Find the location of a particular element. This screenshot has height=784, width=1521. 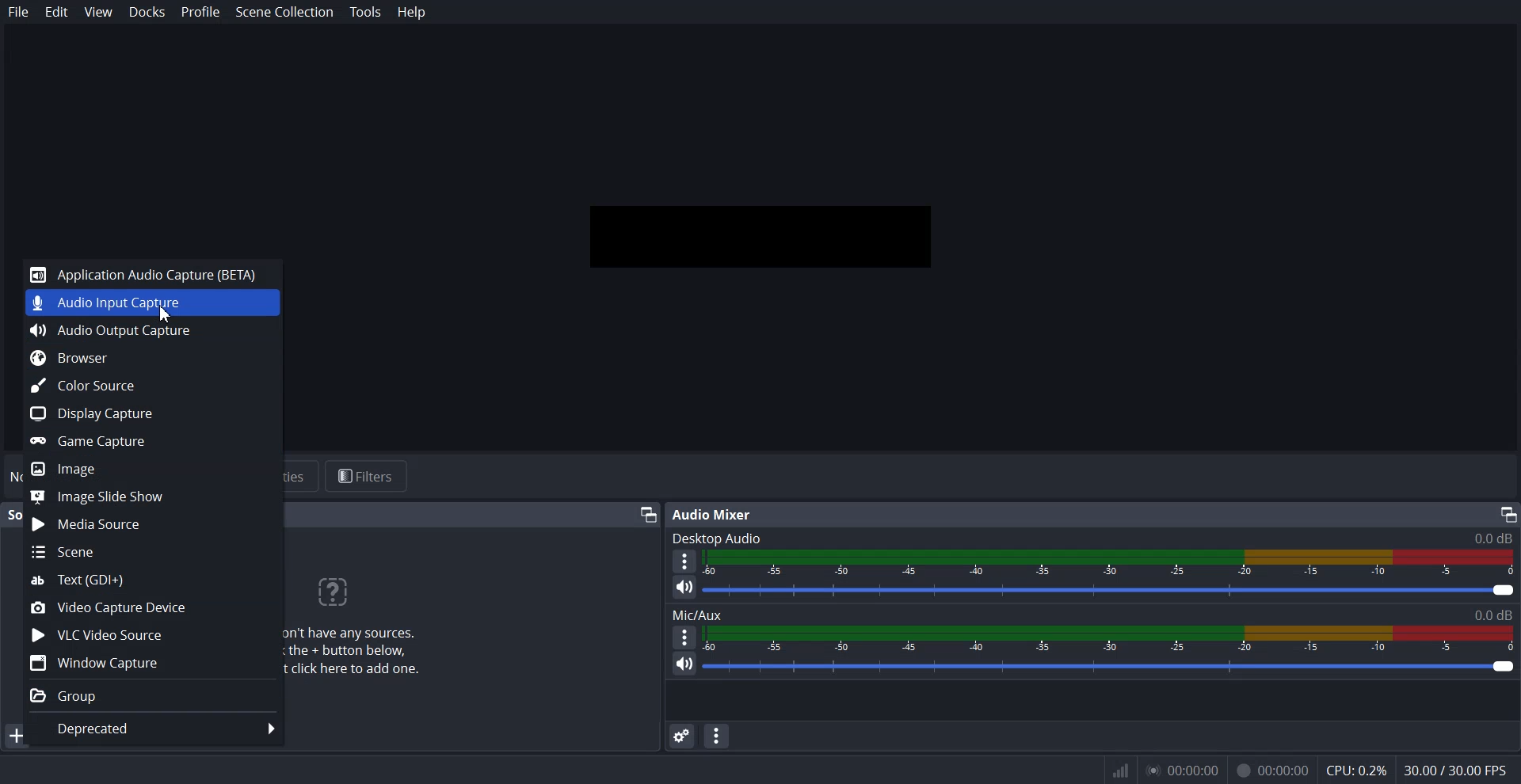

Filters is located at coordinates (367, 475).